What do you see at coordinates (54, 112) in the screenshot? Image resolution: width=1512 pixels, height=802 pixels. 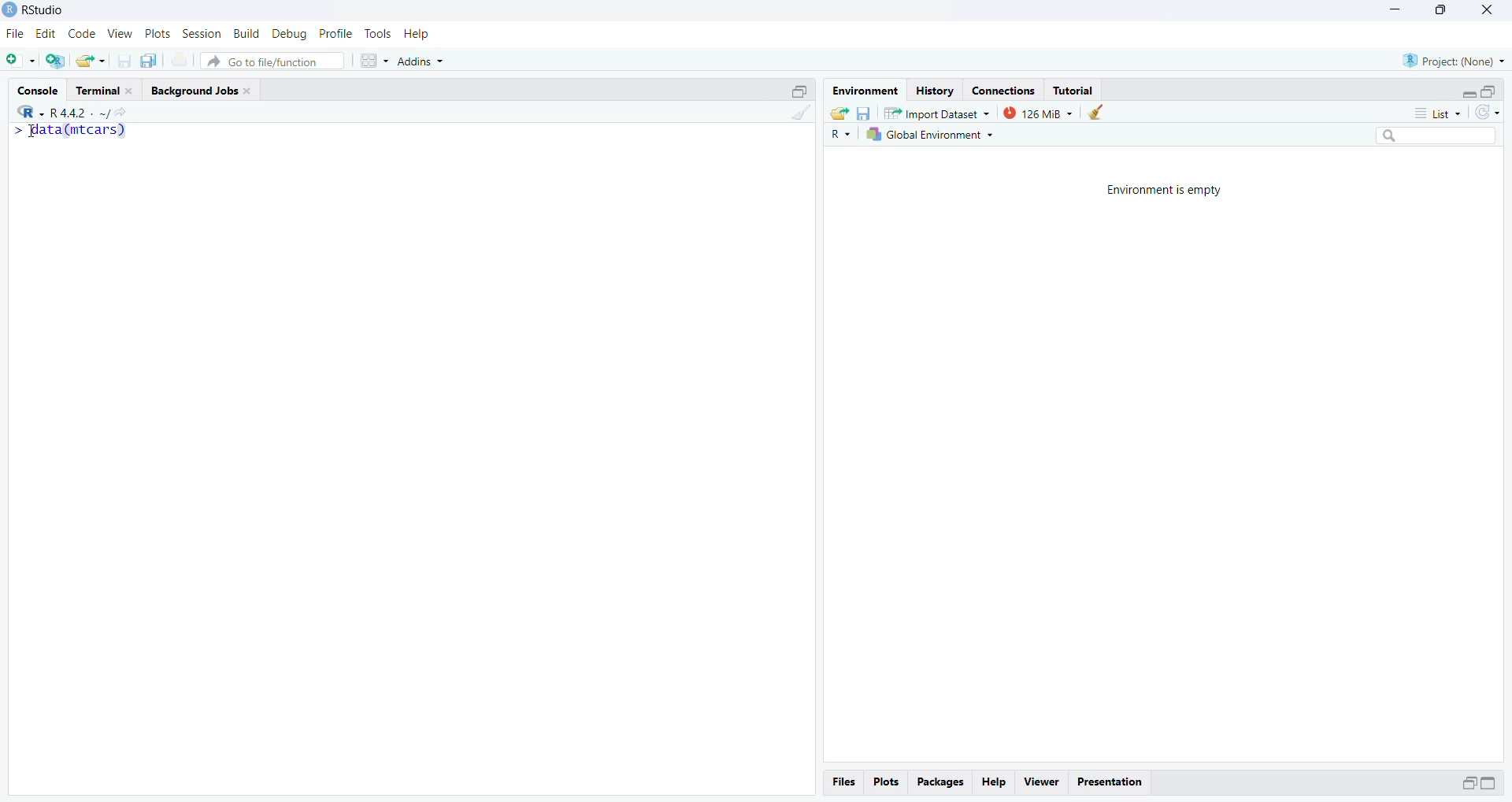 I see `R 4.4.2.` at bounding box center [54, 112].